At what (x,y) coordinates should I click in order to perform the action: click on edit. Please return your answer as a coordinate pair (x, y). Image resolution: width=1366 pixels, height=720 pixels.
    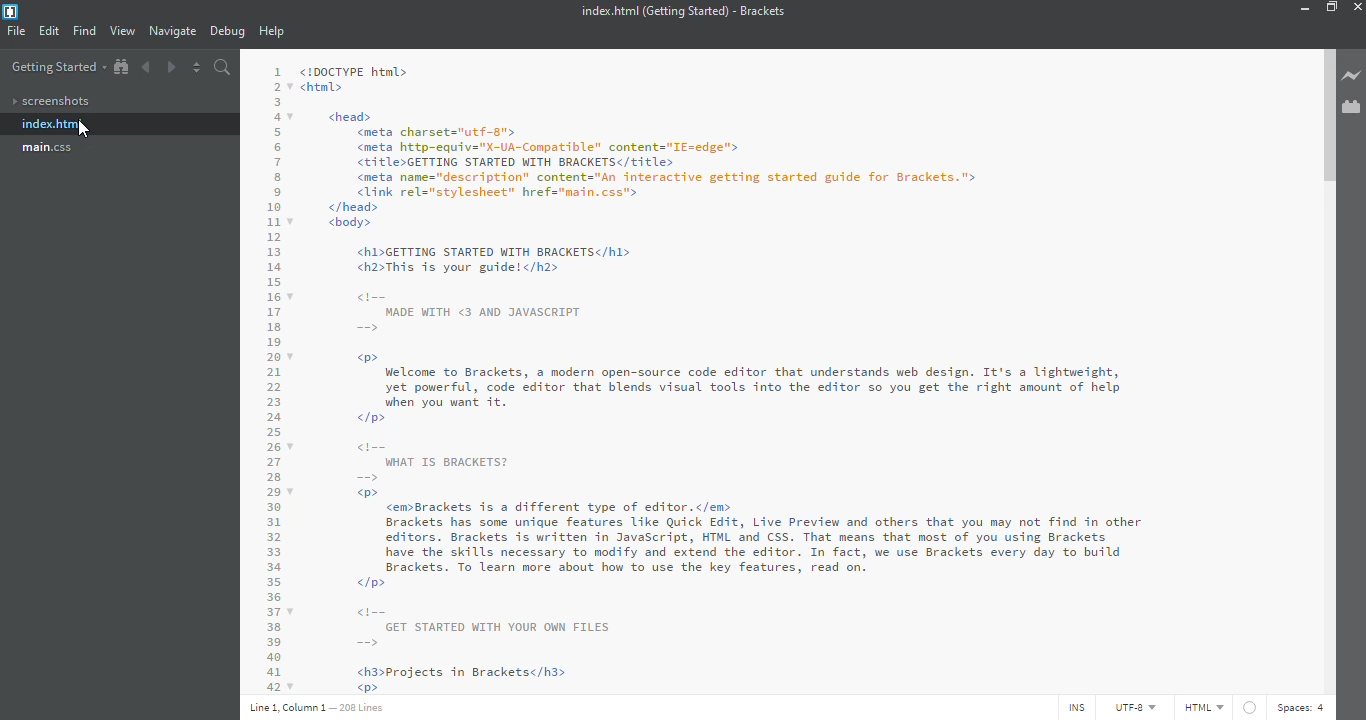
    Looking at the image, I should click on (49, 32).